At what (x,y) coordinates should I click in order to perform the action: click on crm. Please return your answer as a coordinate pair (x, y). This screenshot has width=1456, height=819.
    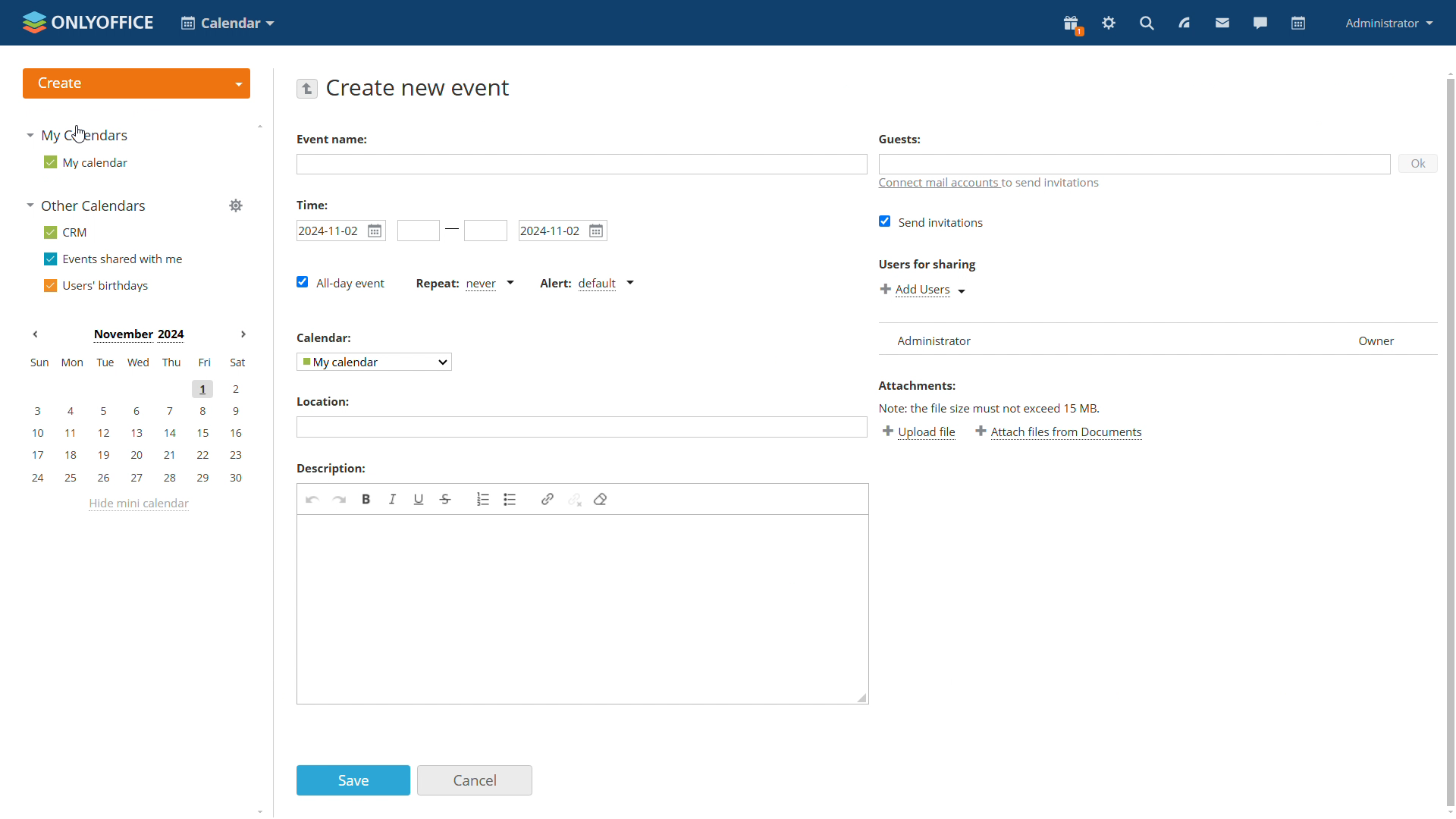
    Looking at the image, I should click on (67, 232).